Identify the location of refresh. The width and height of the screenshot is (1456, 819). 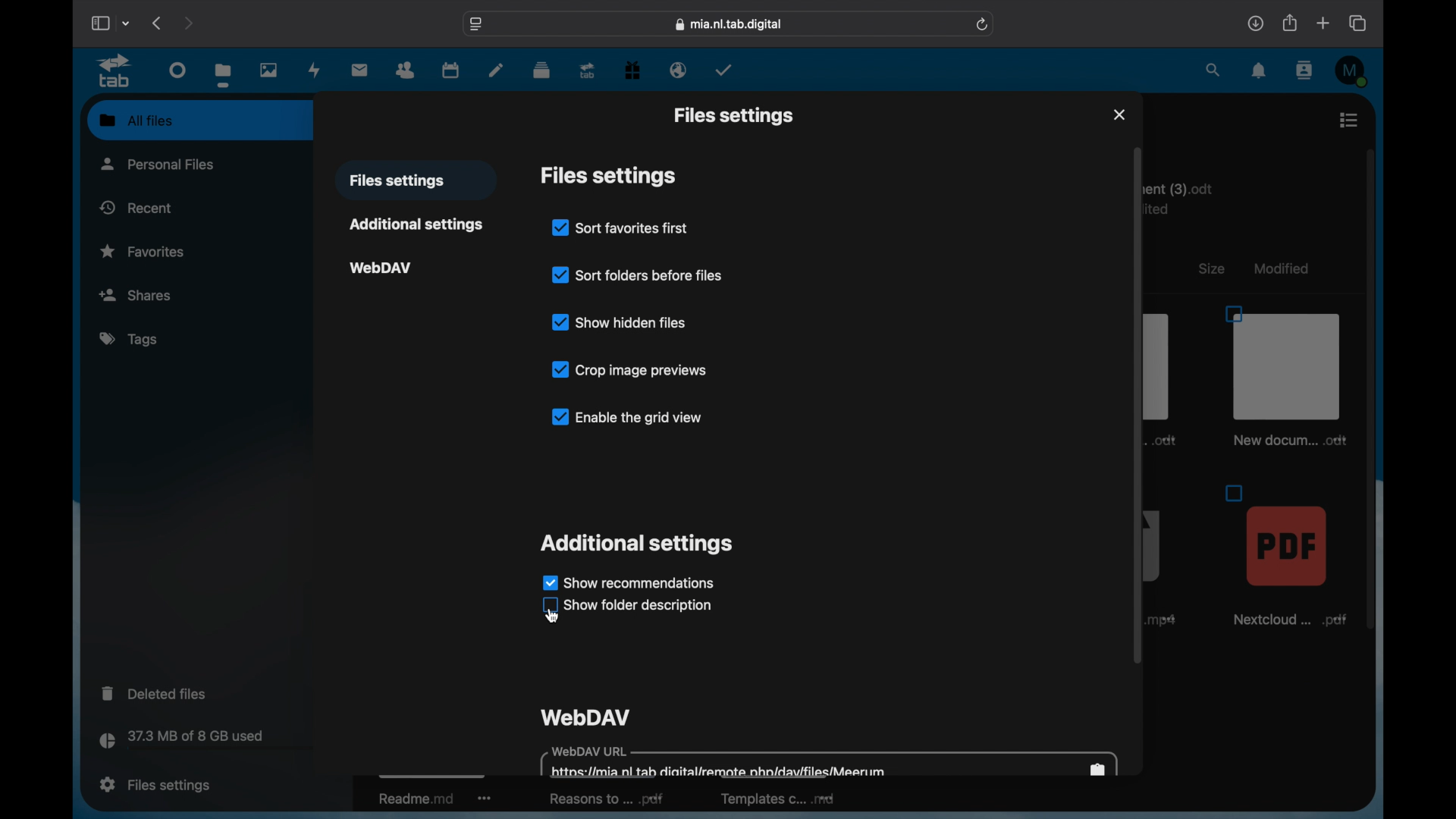
(983, 24).